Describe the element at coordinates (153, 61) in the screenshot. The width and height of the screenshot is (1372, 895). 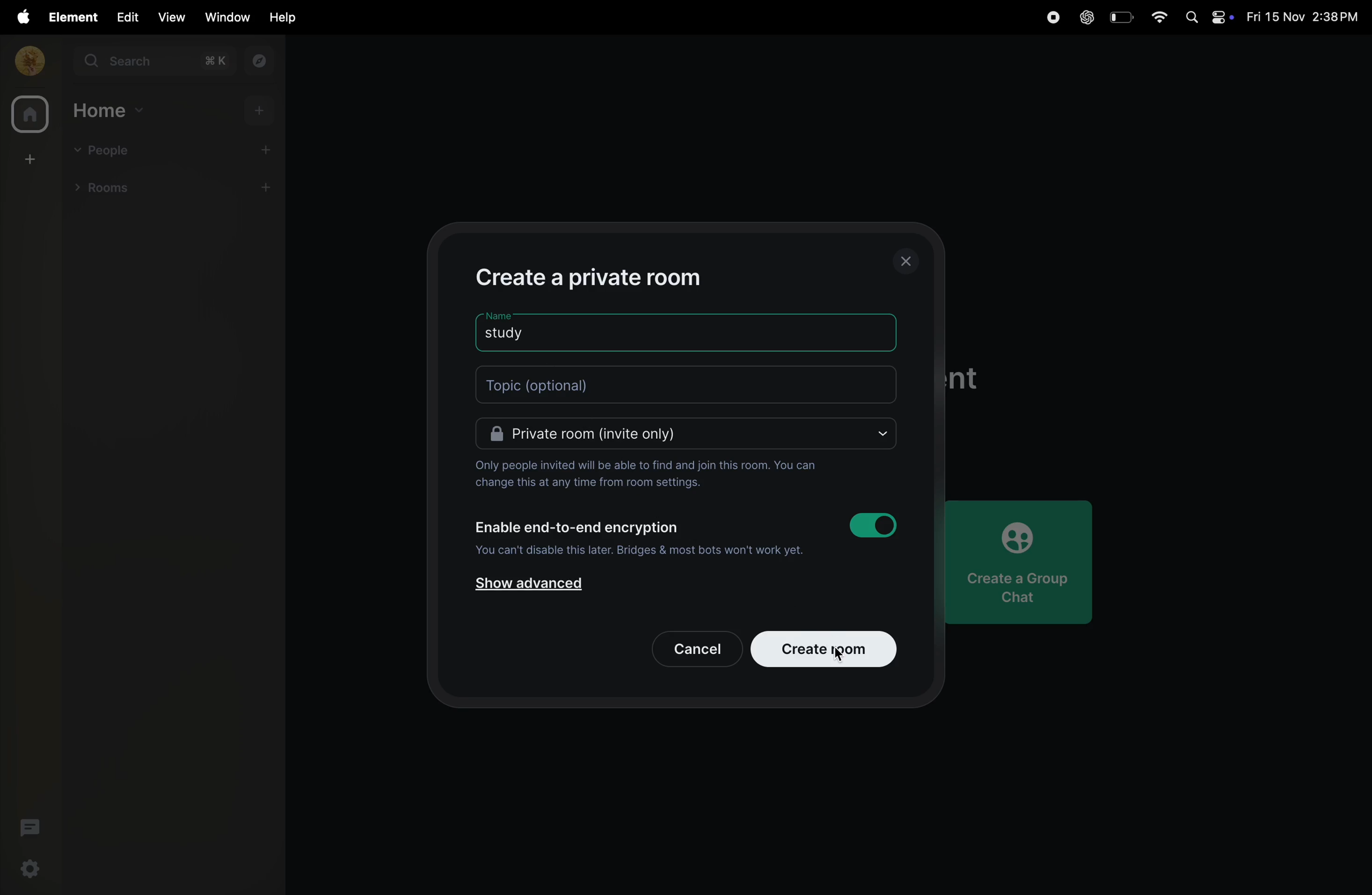
I see `search` at that location.